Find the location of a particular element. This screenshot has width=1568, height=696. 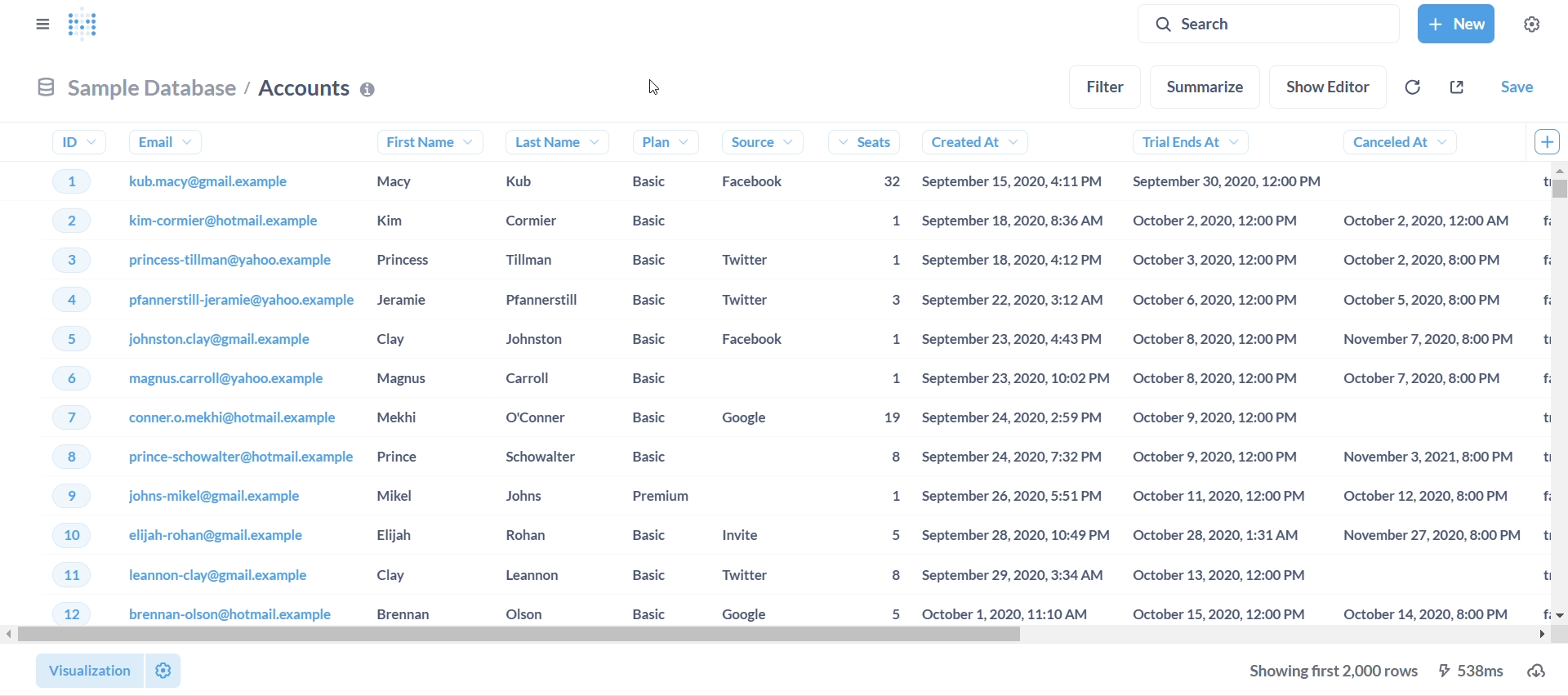

created at is located at coordinates (1016, 375).